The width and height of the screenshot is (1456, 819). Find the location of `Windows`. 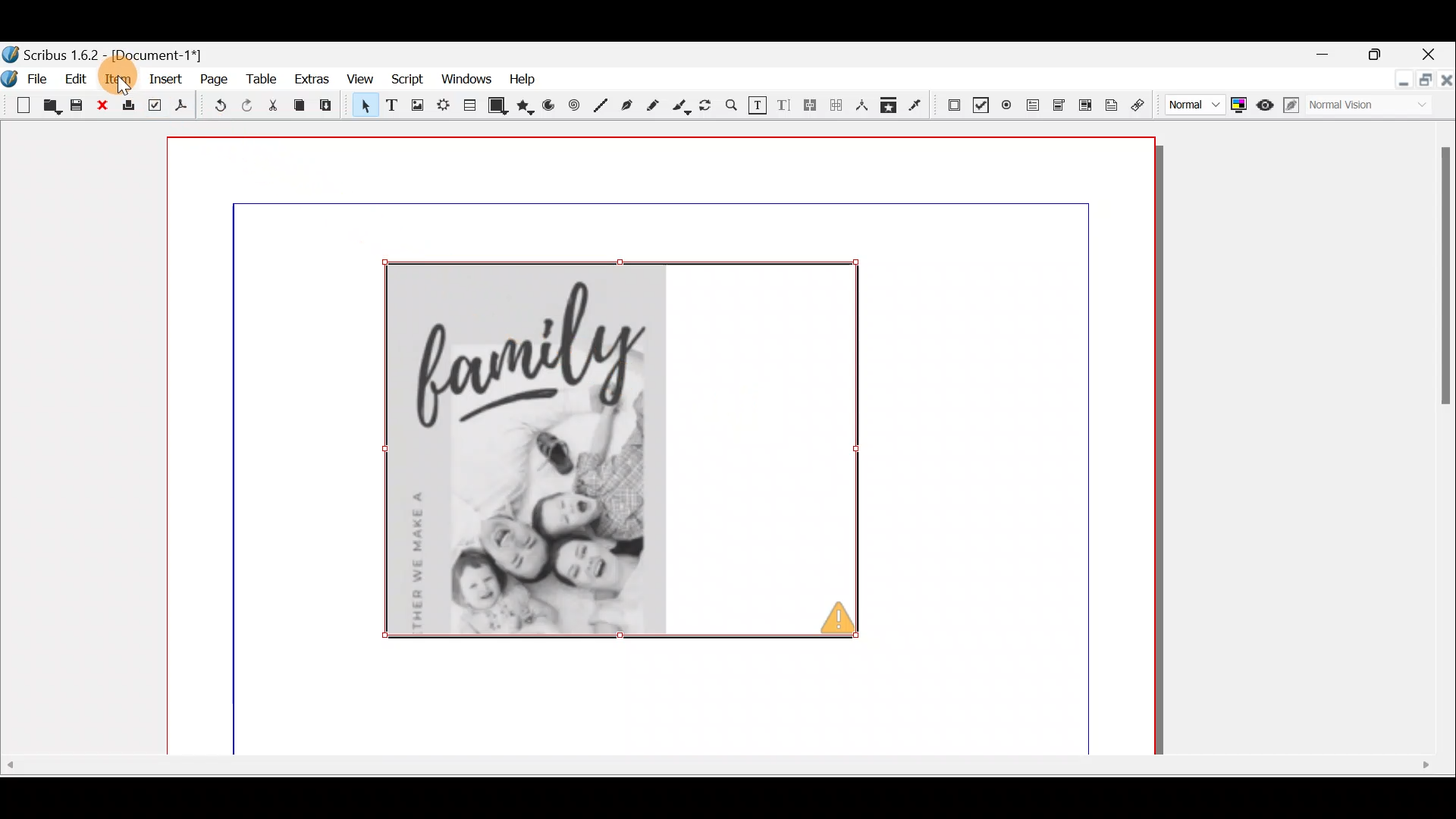

Windows is located at coordinates (463, 78).